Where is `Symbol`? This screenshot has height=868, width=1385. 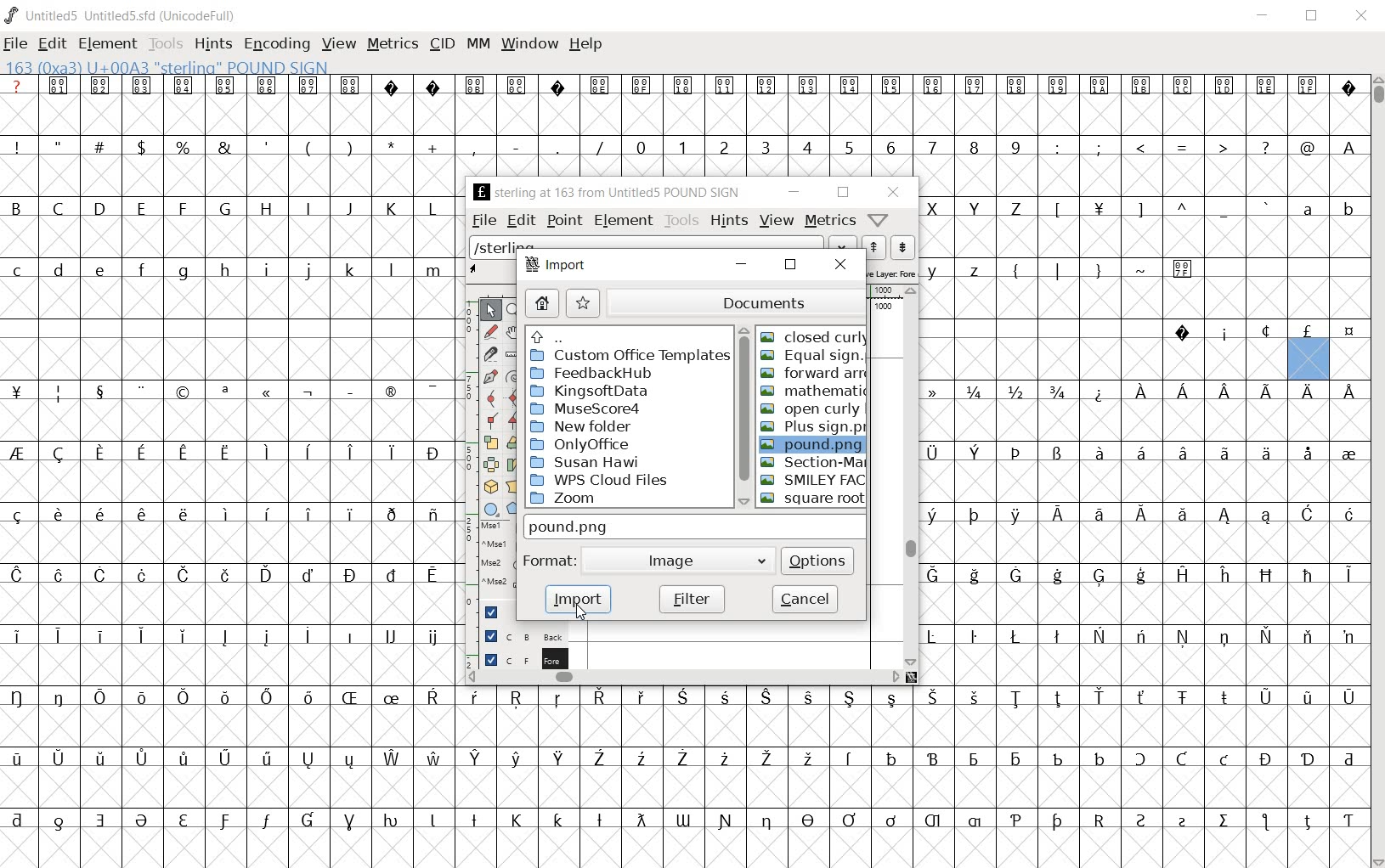 Symbol is located at coordinates (933, 758).